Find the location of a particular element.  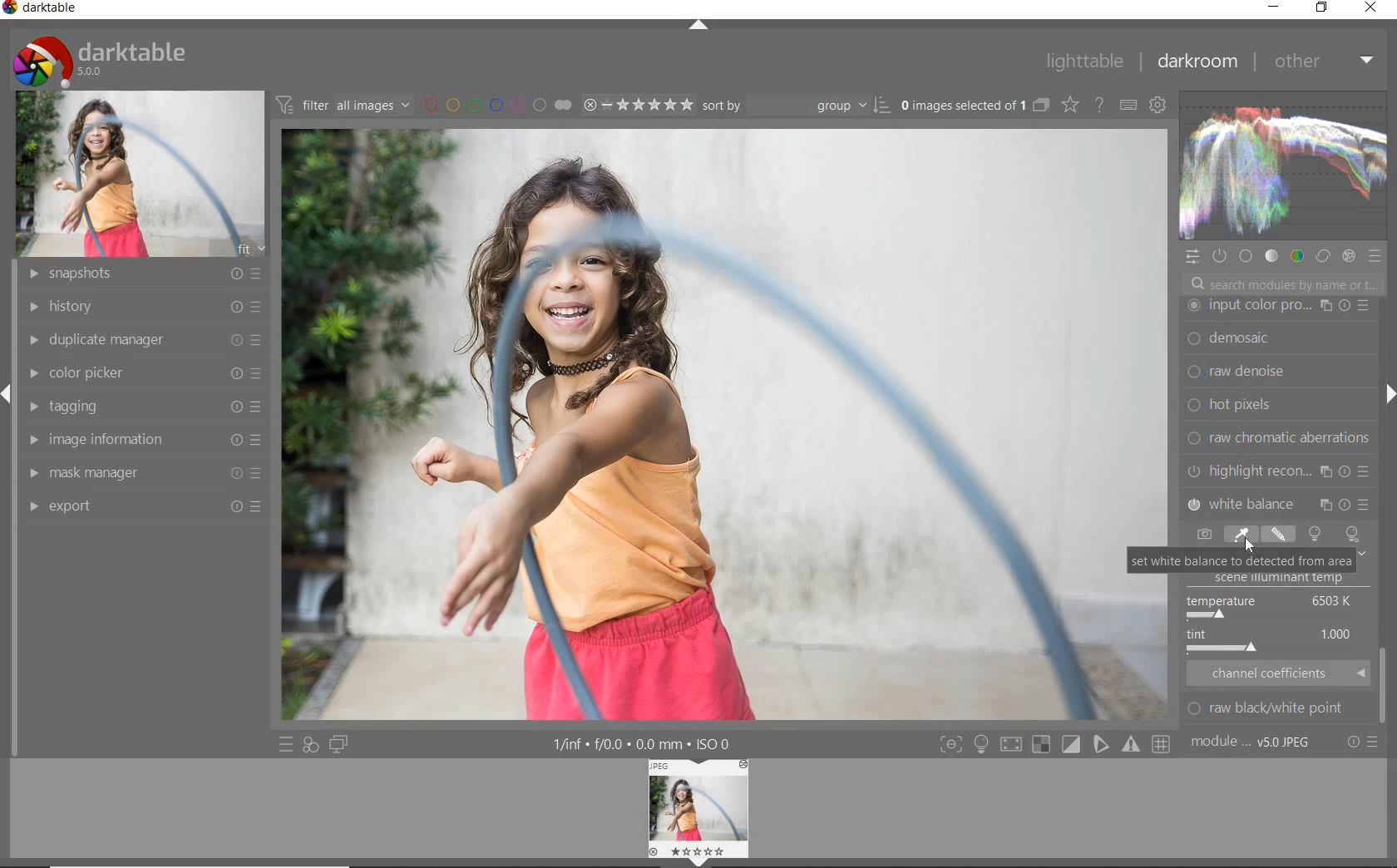

ROW BLACK/WHITE POINT is located at coordinates (1276, 708).